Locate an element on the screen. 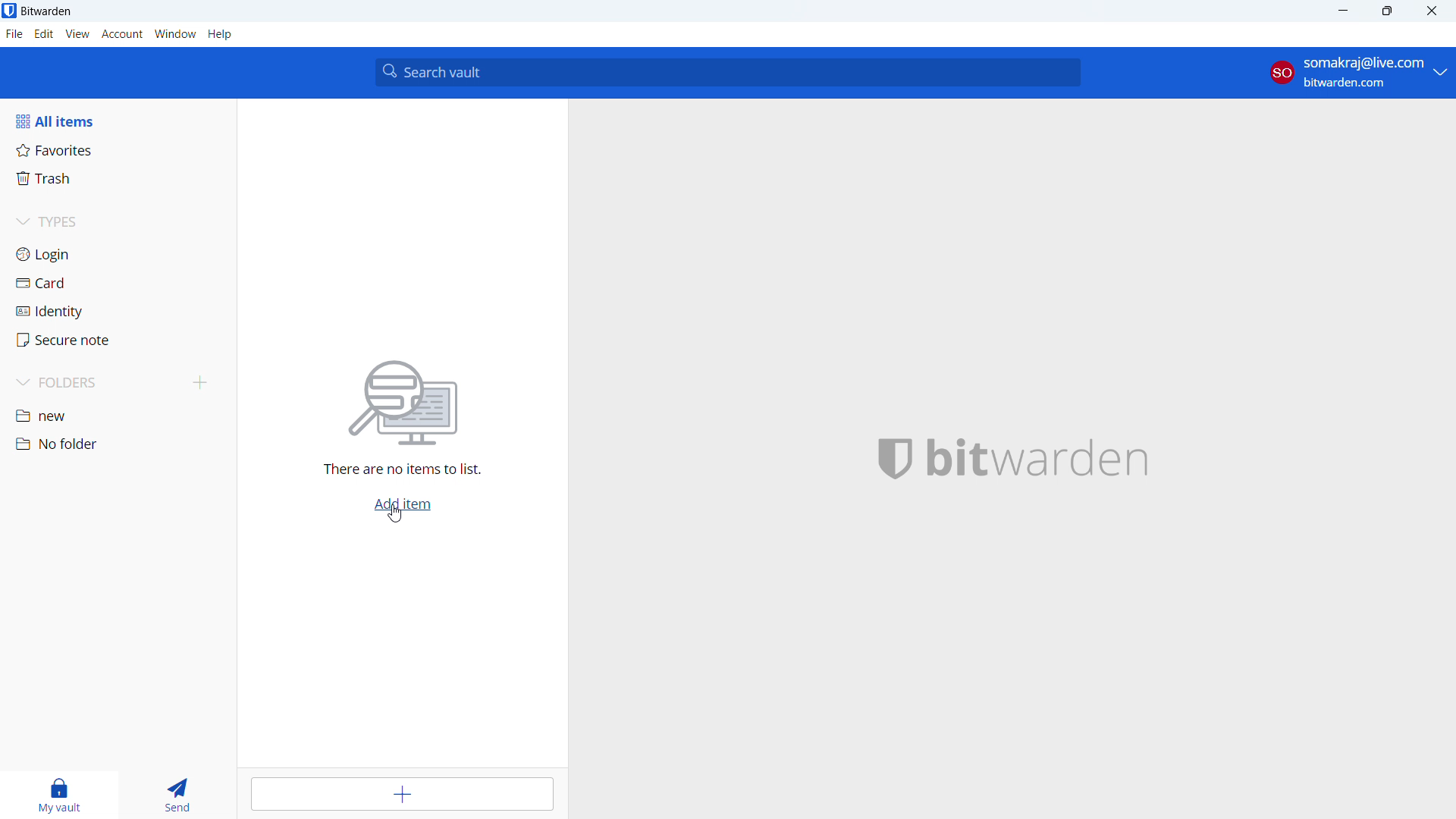 The image size is (1456, 819). trash is located at coordinates (117, 179).